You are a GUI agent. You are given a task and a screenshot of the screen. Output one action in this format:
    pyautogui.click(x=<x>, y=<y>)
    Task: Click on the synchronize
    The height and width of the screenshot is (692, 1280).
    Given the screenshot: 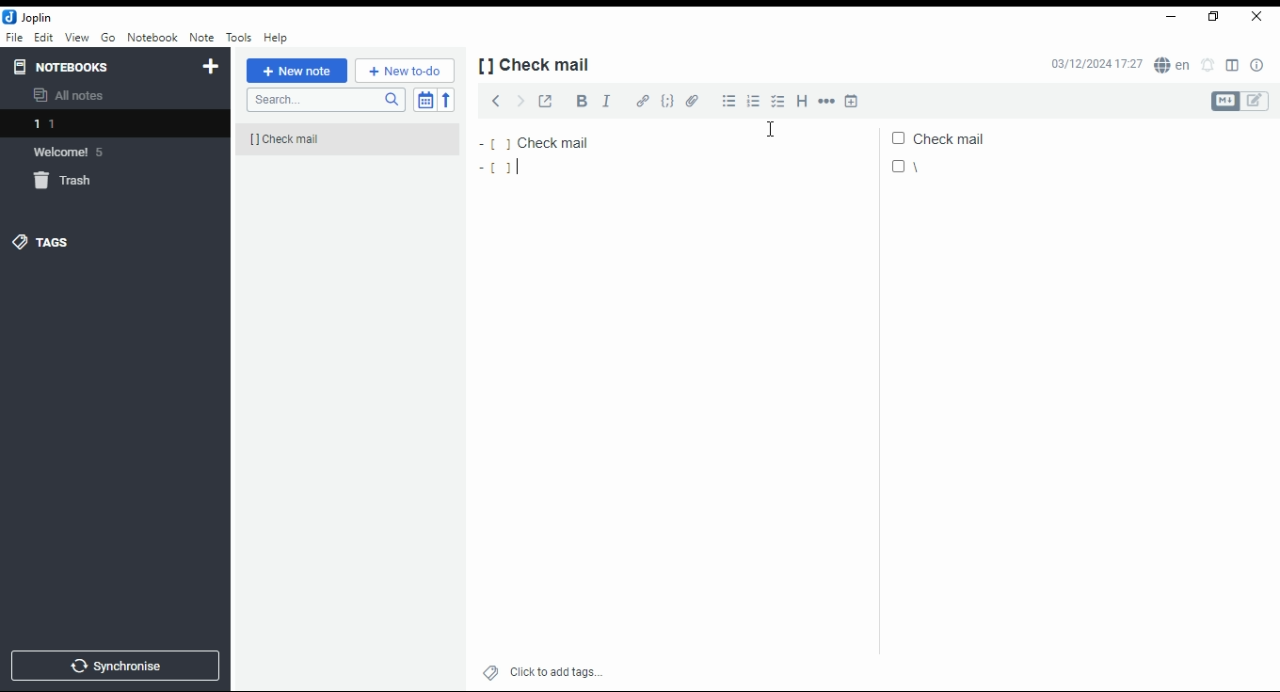 What is the action you would take?
    pyautogui.click(x=116, y=666)
    